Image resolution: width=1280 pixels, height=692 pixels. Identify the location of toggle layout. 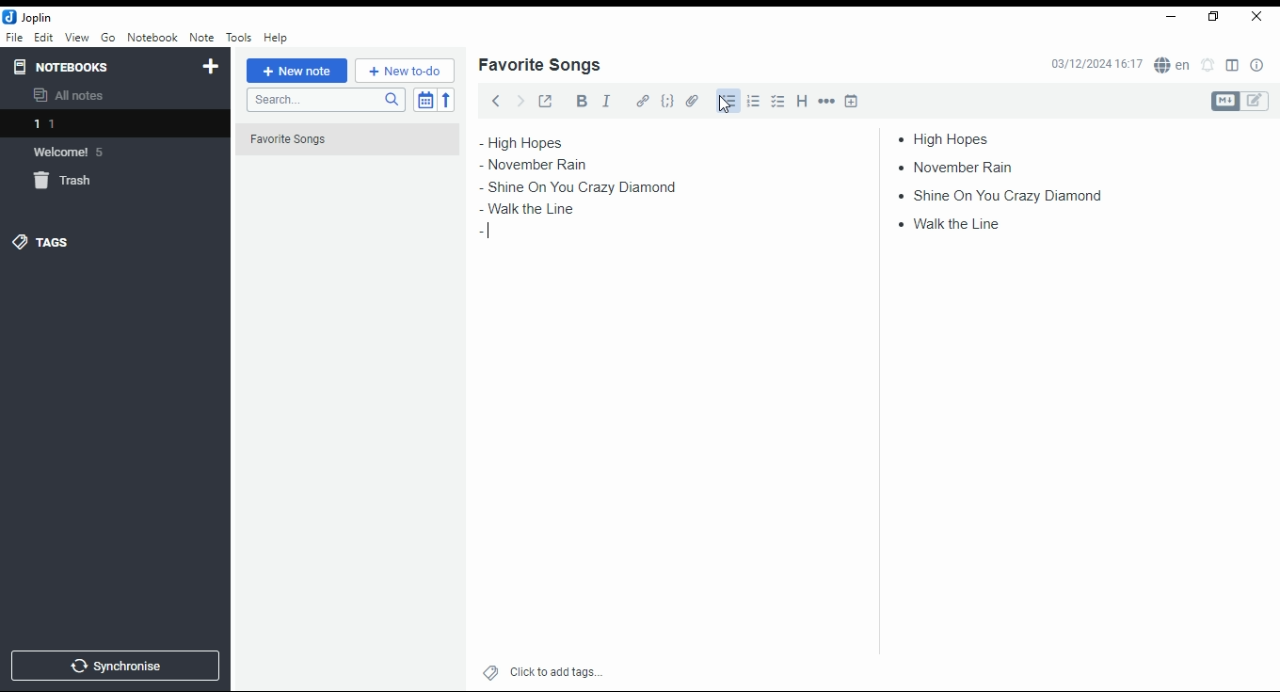
(1233, 66).